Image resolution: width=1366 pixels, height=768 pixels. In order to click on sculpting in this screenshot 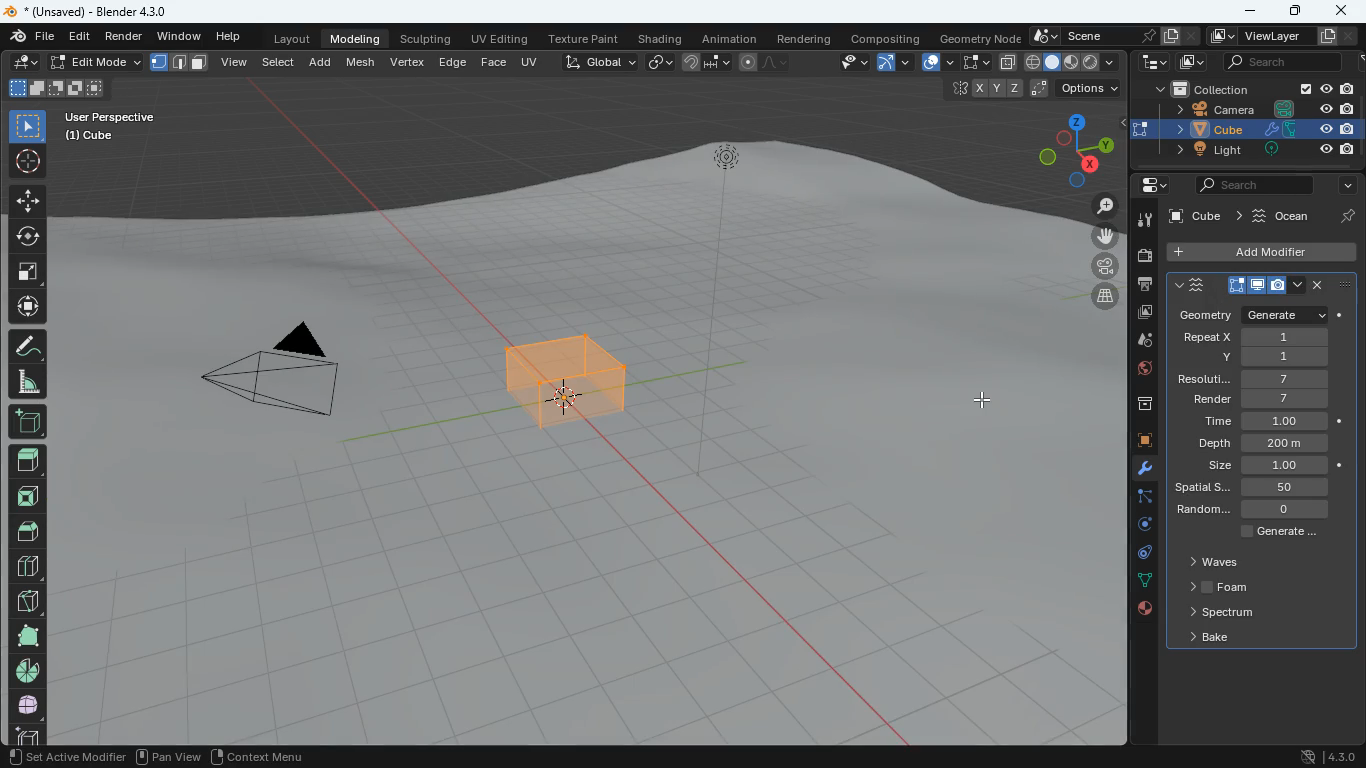, I will do `click(428, 36)`.